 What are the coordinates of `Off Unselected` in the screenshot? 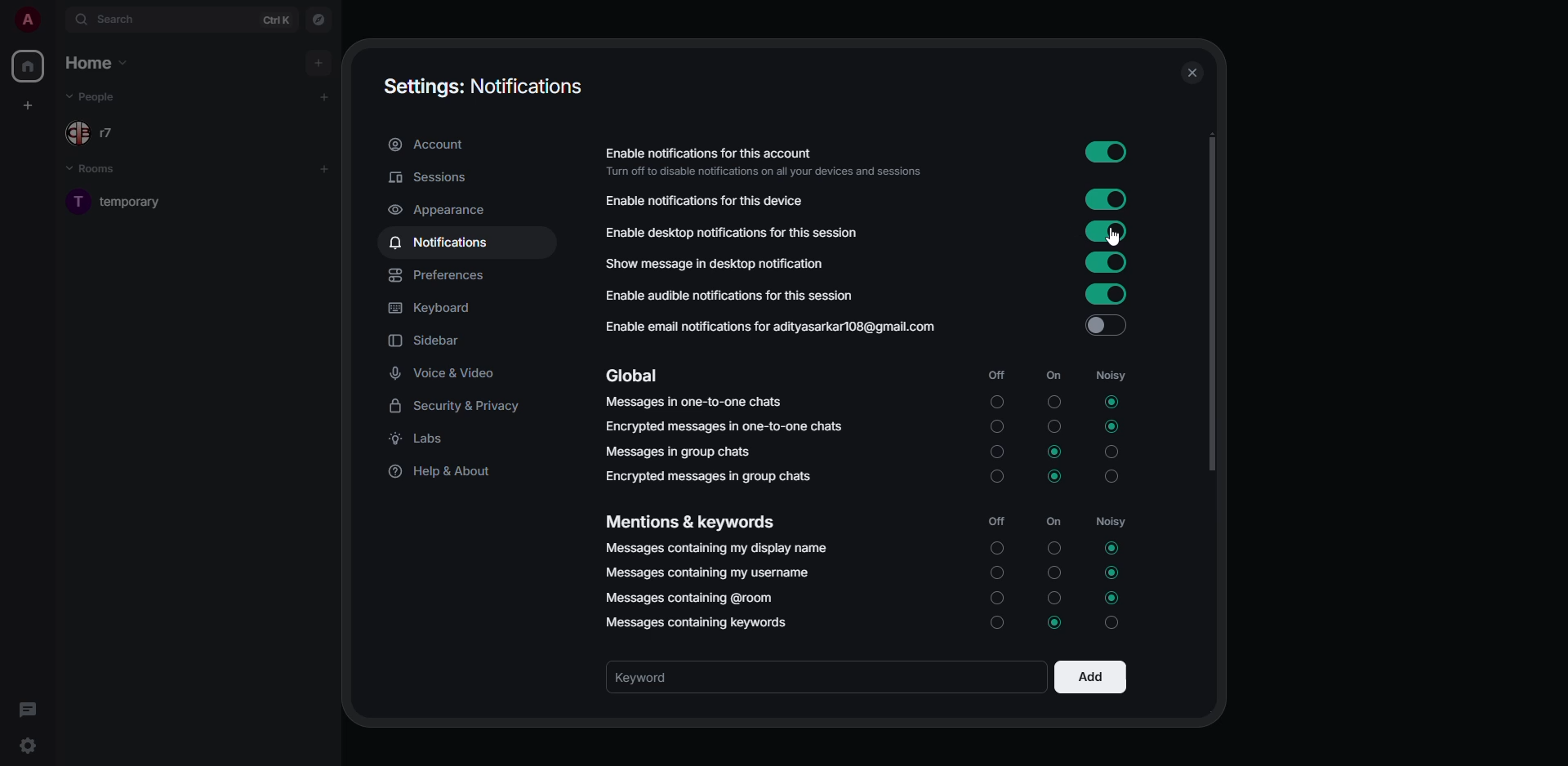 It's located at (996, 452).